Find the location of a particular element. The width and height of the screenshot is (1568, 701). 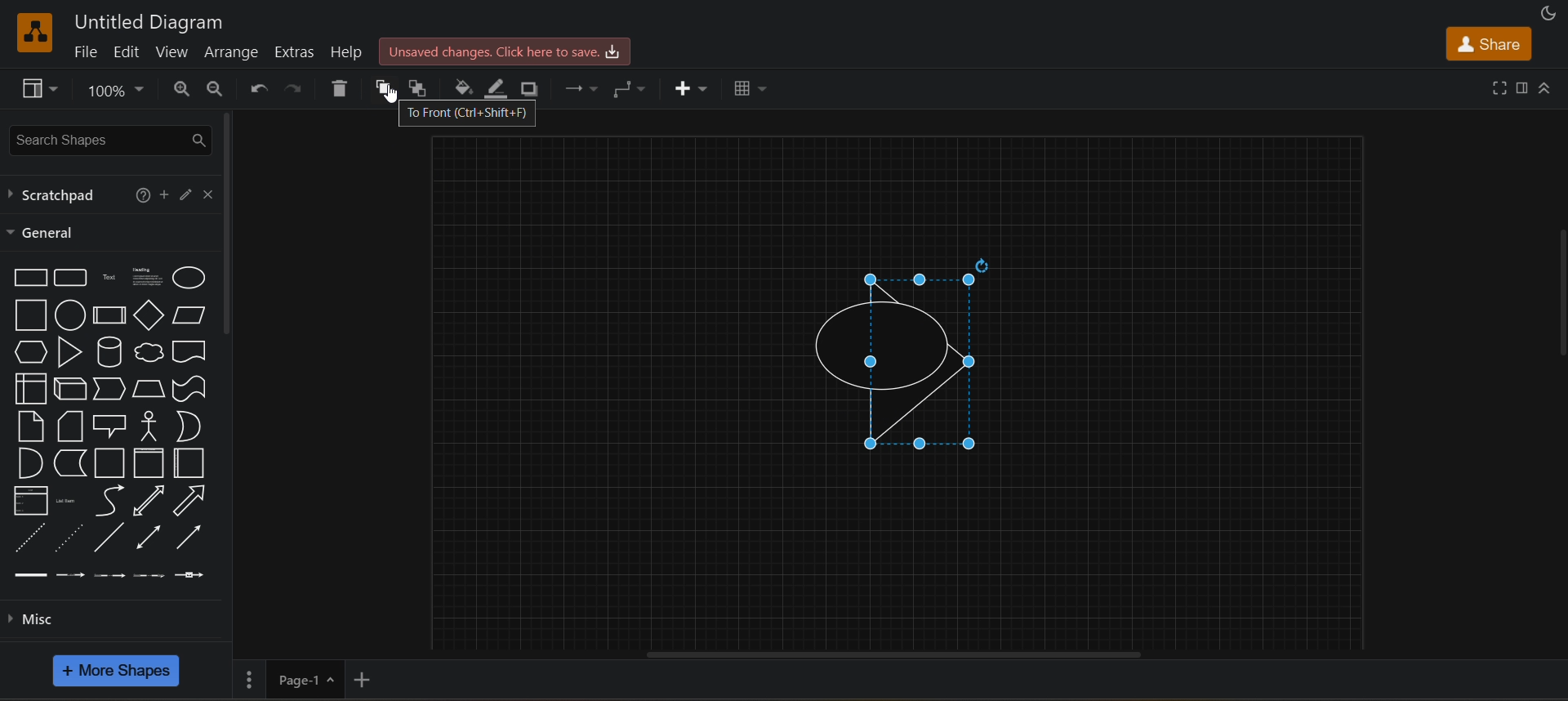

line is located at coordinates (109, 537).